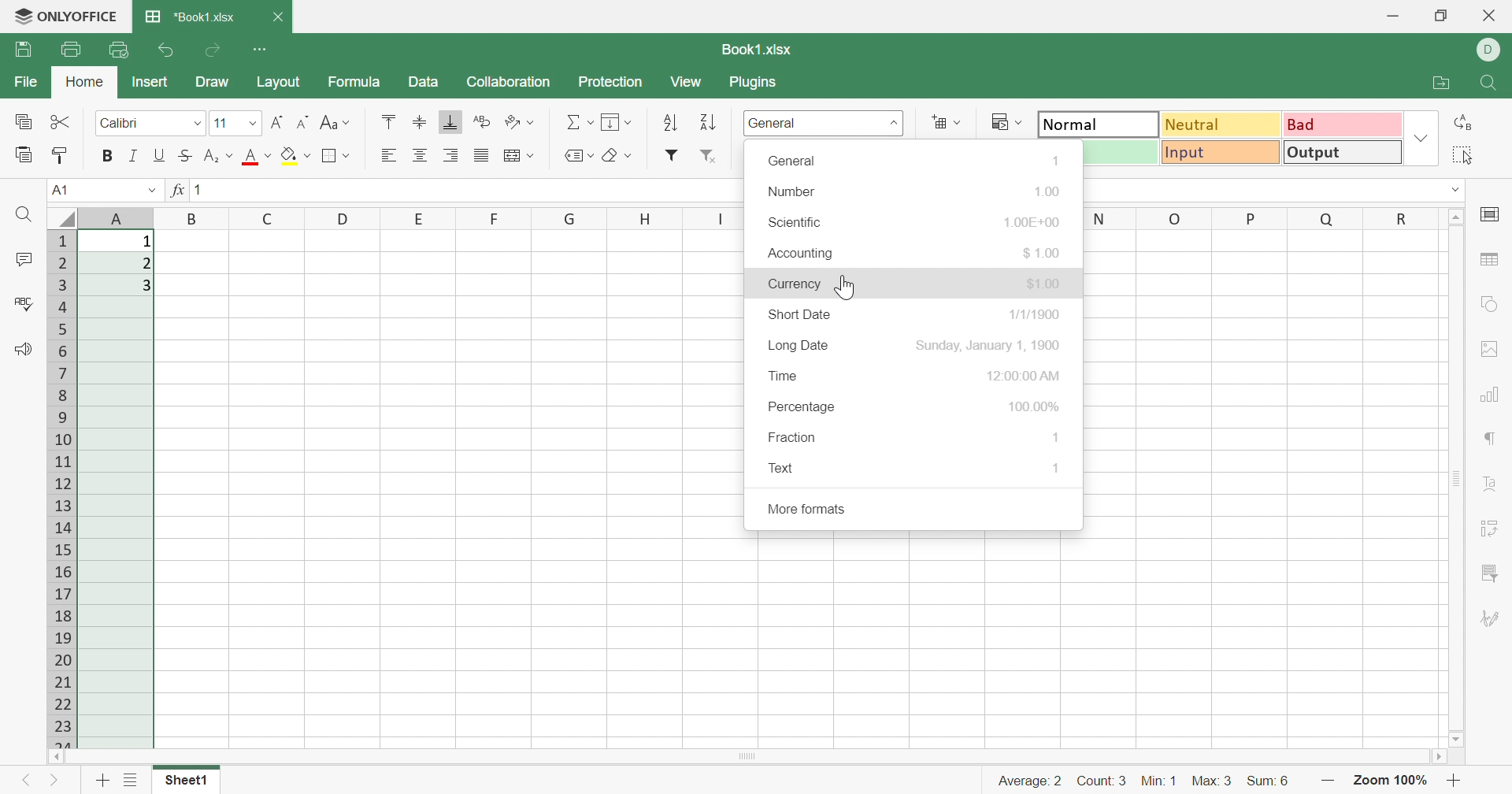 The width and height of the screenshot is (1512, 794). Describe the element at coordinates (1493, 484) in the screenshot. I see `Text art settings` at that location.